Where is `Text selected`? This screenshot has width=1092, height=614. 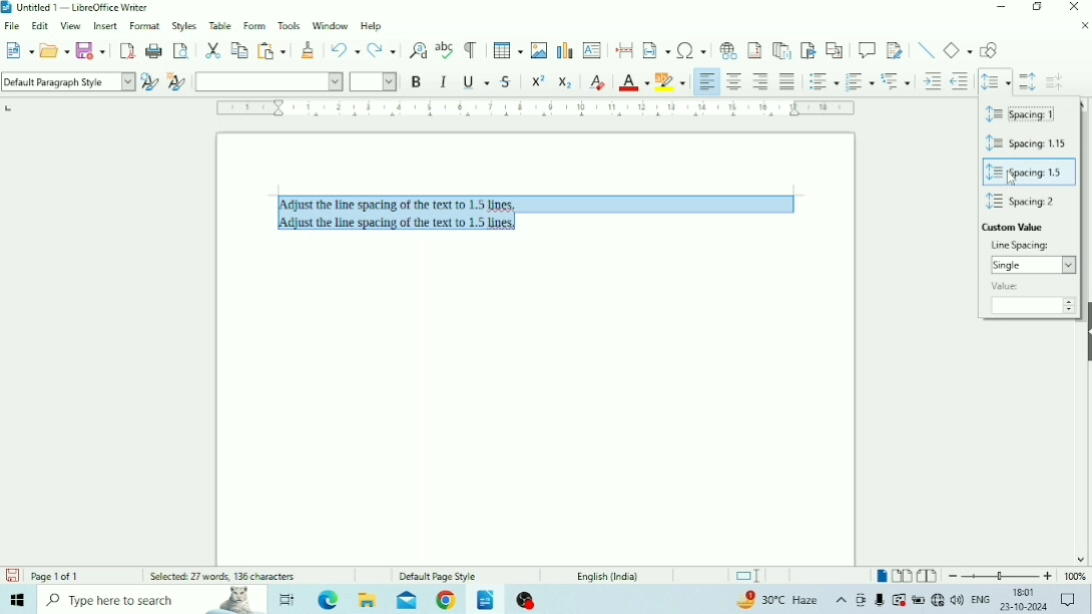
Text selected is located at coordinates (537, 214).